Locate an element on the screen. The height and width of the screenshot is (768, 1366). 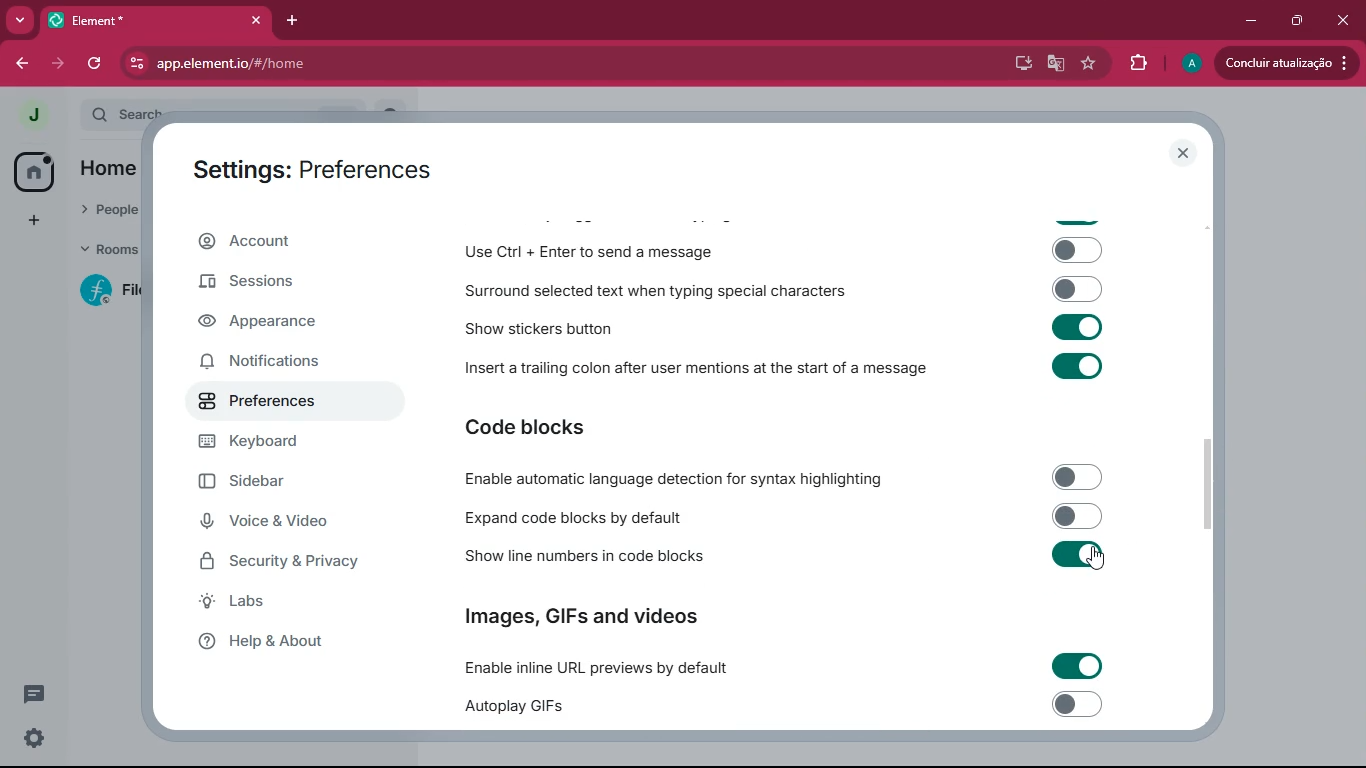
back is located at coordinates (22, 64).